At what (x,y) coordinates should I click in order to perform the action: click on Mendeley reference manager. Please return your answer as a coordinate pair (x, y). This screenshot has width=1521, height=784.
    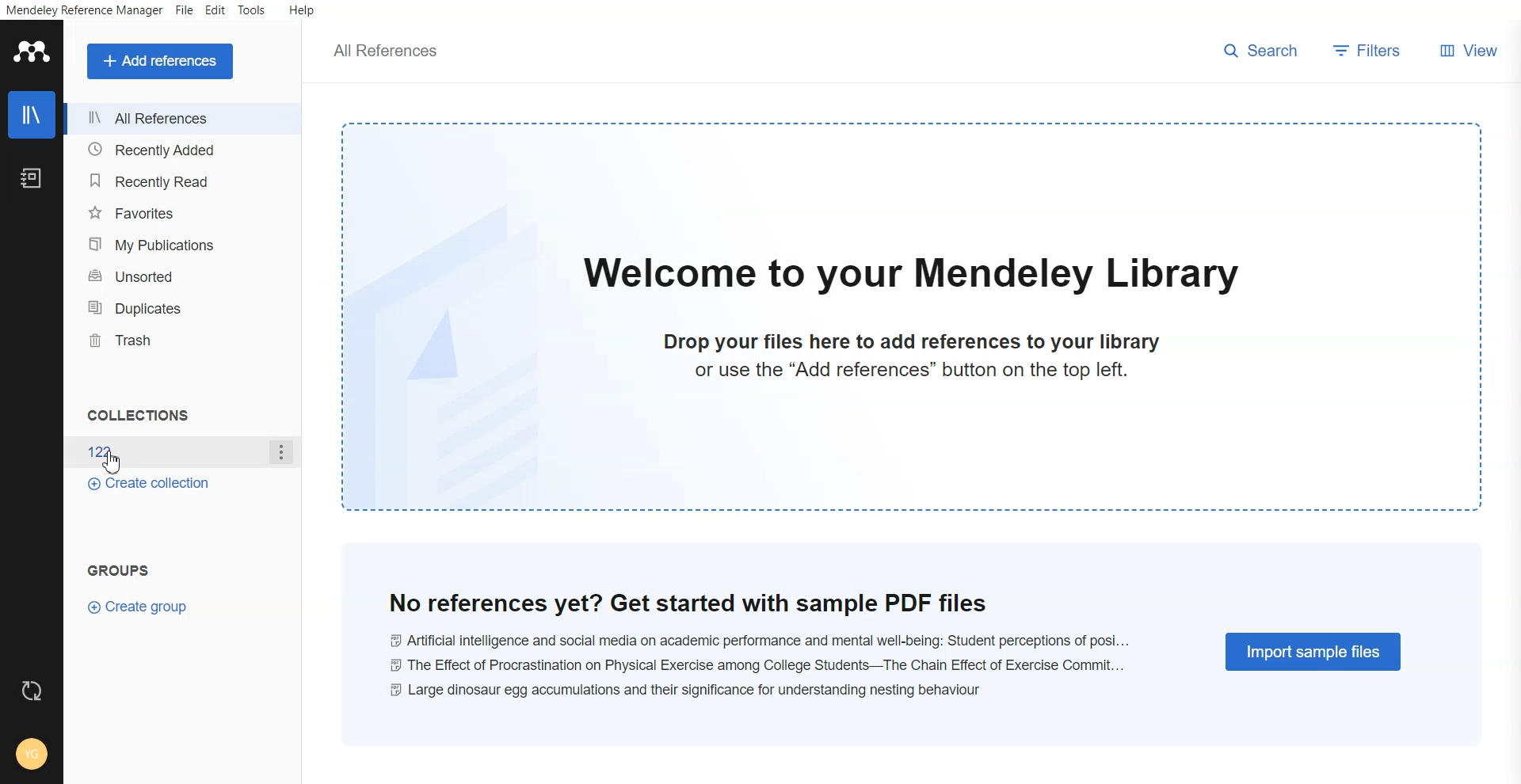
    Looking at the image, I should click on (86, 11).